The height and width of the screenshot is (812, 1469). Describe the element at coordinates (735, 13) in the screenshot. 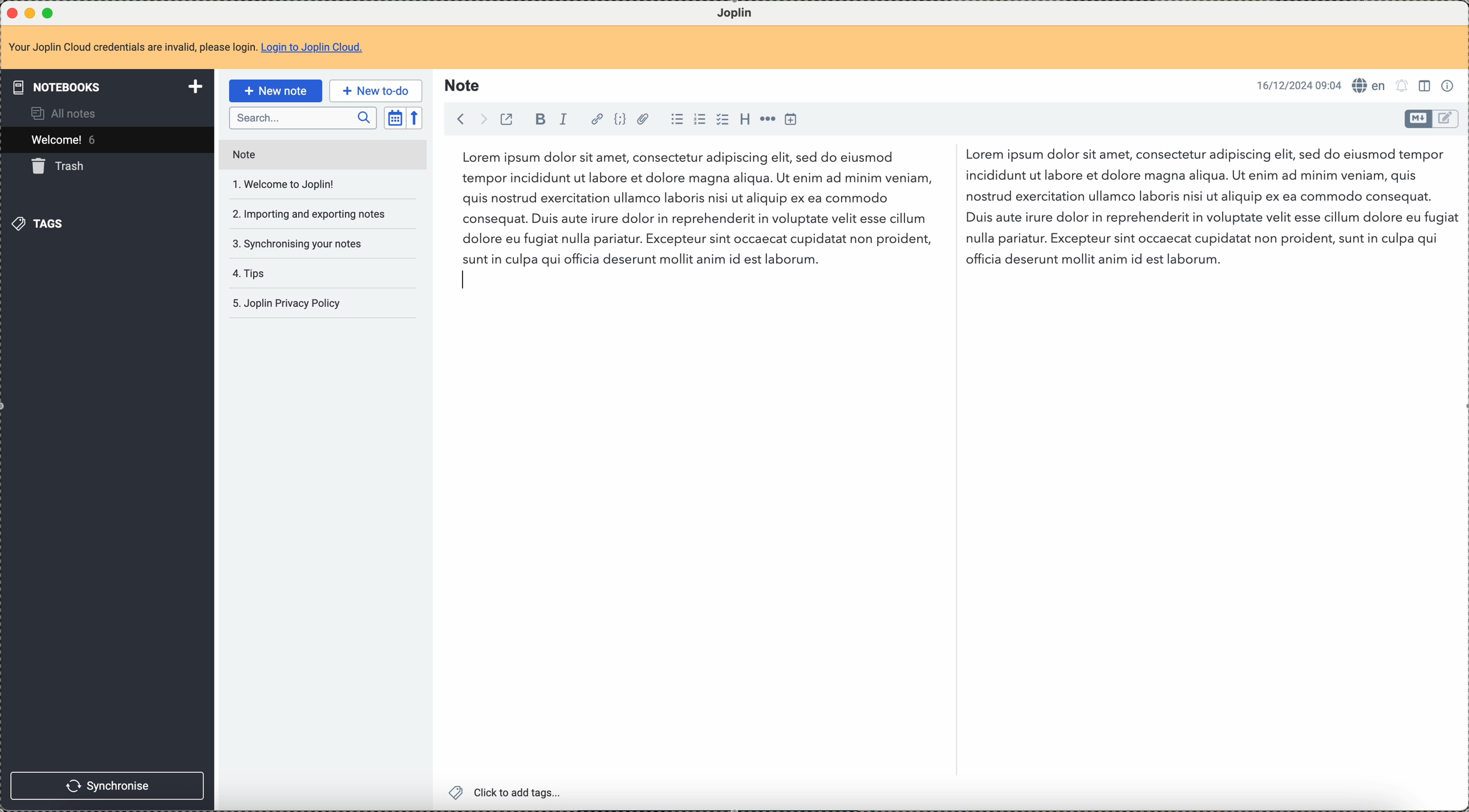

I see `Joplin` at that location.